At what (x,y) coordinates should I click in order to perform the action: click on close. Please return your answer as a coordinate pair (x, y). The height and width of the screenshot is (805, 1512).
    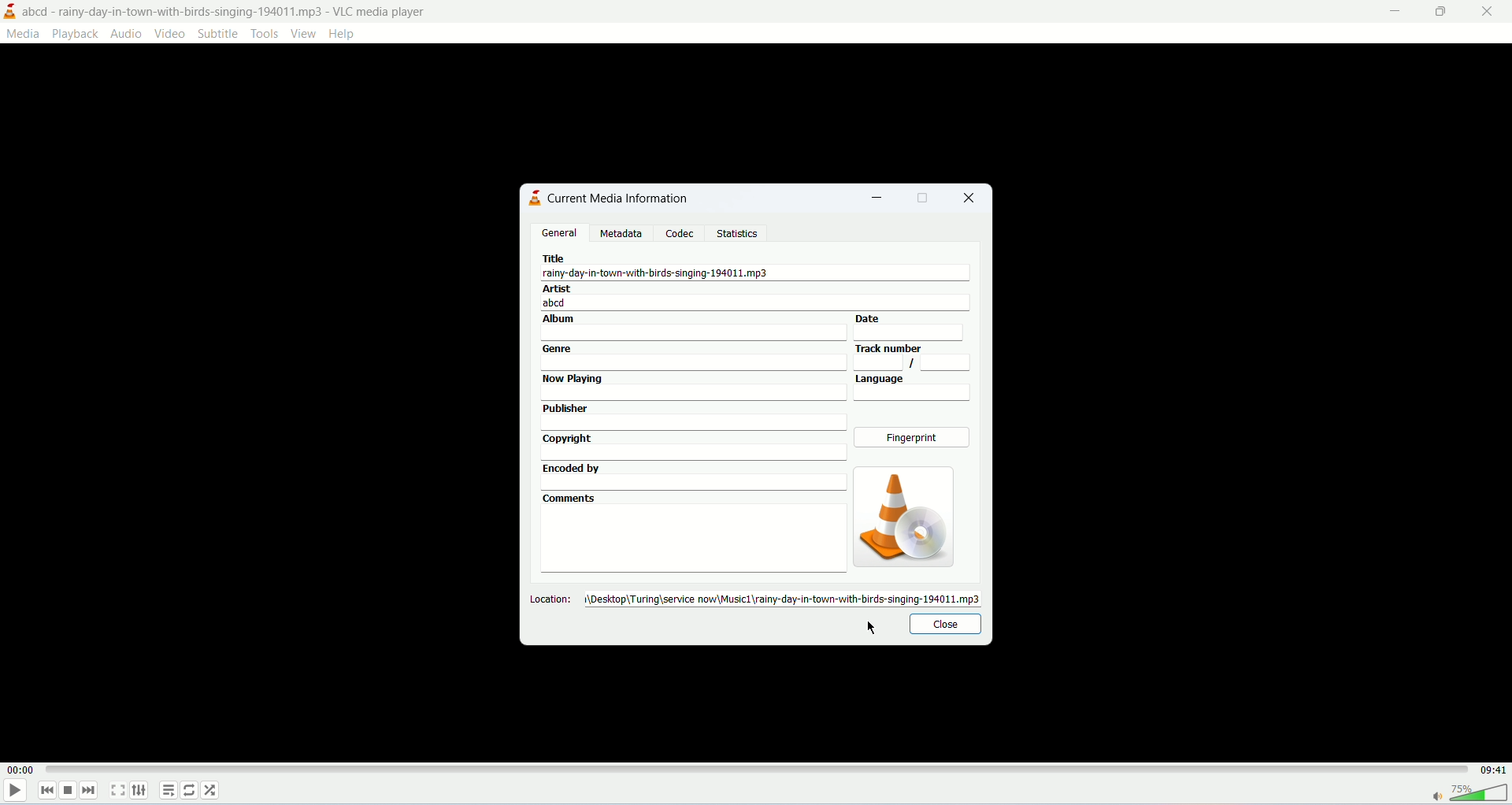
    Looking at the image, I should click on (944, 624).